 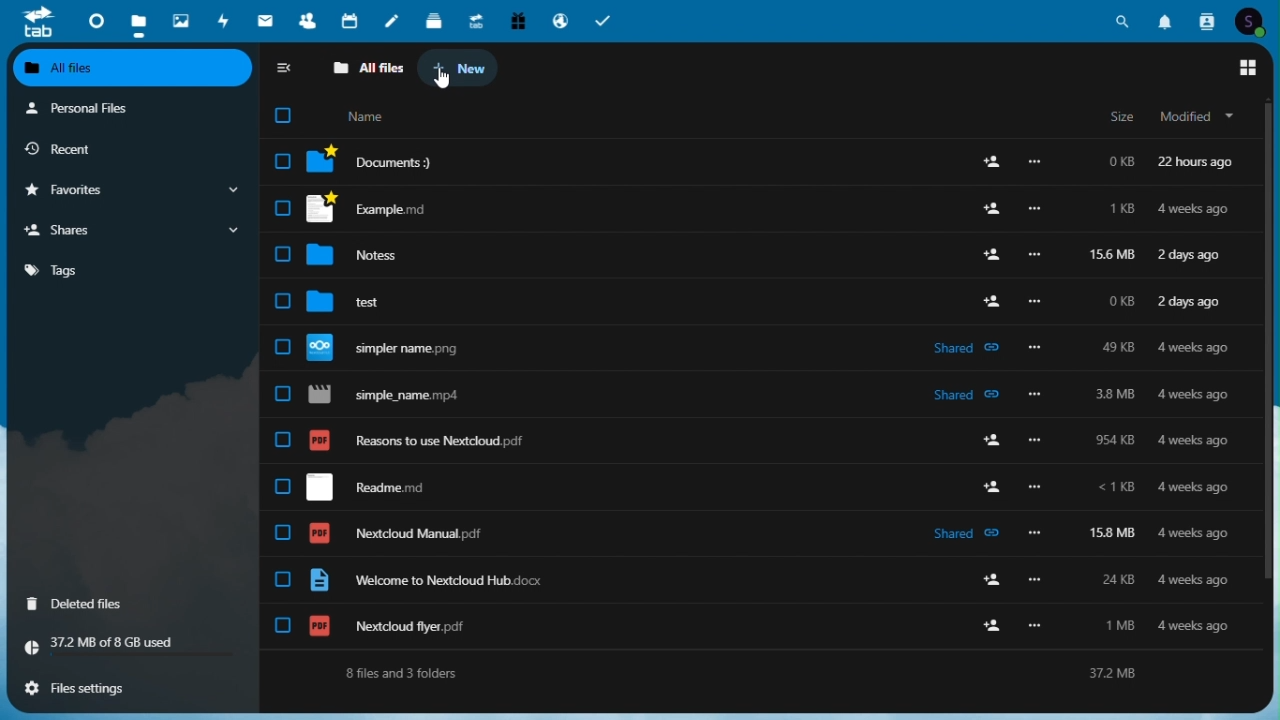 What do you see at coordinates (988, 254) in the screenshot?
I see `add user` at bounding box center [988, 254].